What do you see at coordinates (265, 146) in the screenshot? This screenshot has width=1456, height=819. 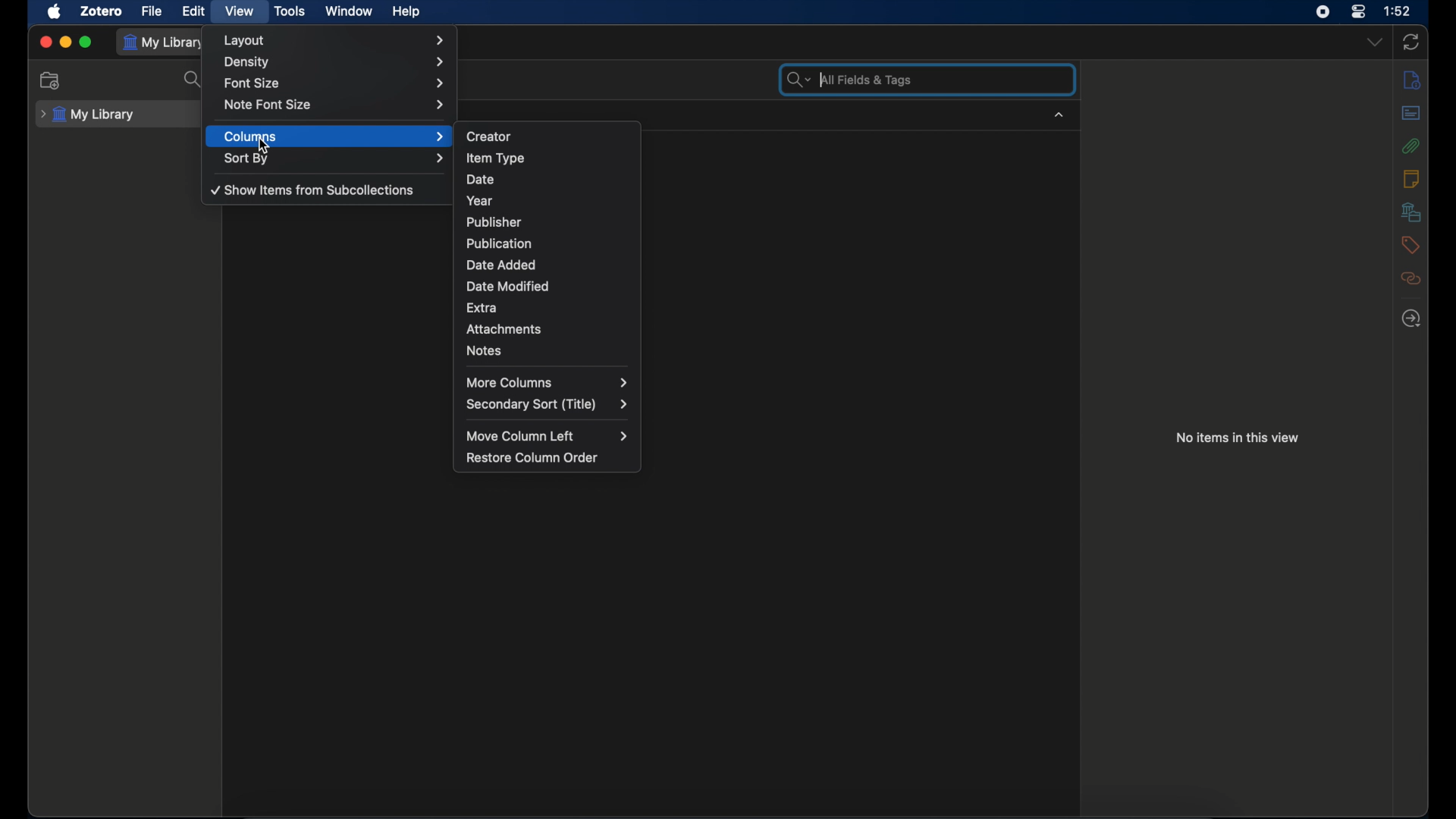 I see `cursor` at bounding box center [265, 146].